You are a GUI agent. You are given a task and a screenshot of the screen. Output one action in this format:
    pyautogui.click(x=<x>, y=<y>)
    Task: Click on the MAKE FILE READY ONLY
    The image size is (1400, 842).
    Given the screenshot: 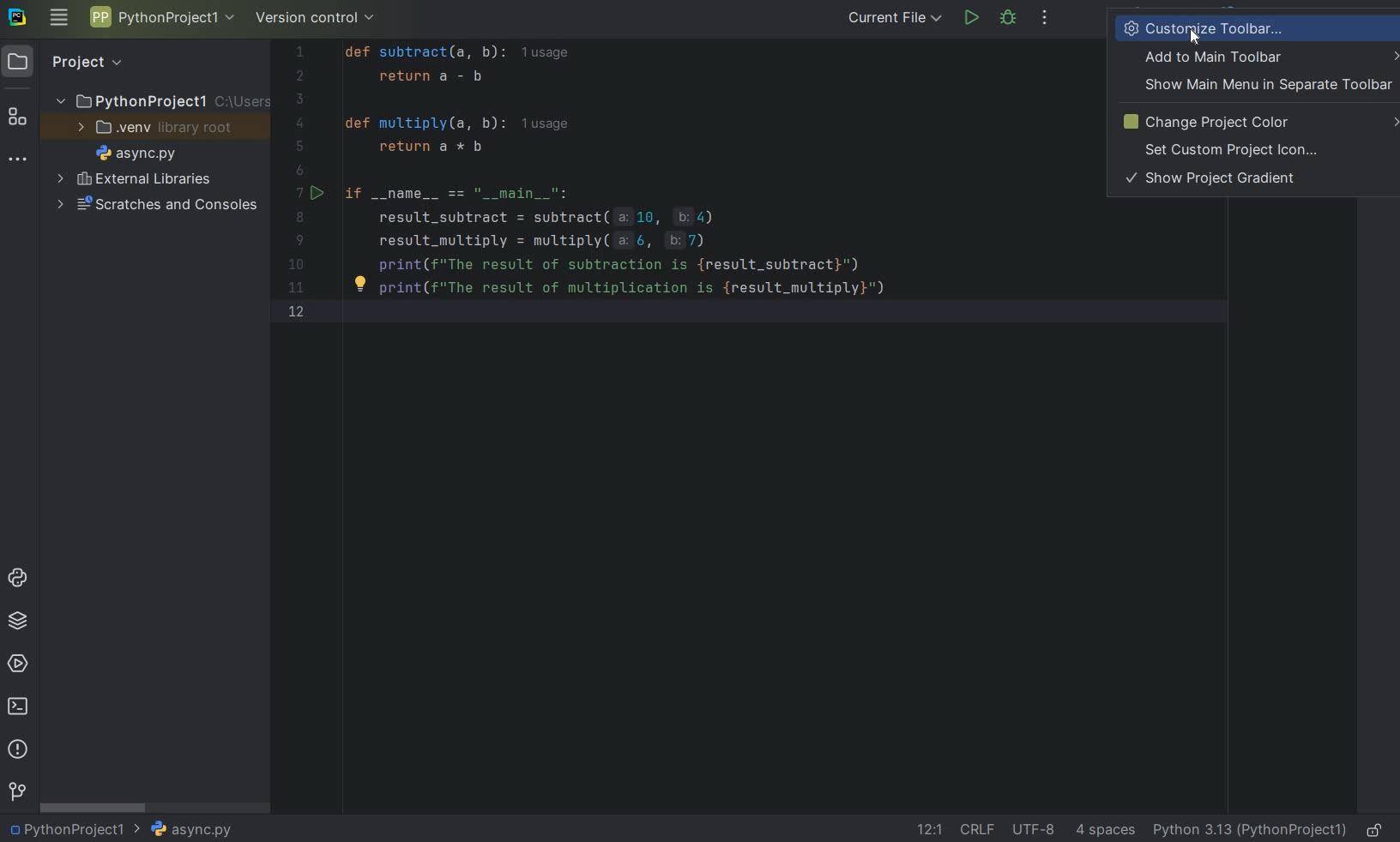 What is the action you would take?
    pyautogui.click(x=1378, y=828)
    